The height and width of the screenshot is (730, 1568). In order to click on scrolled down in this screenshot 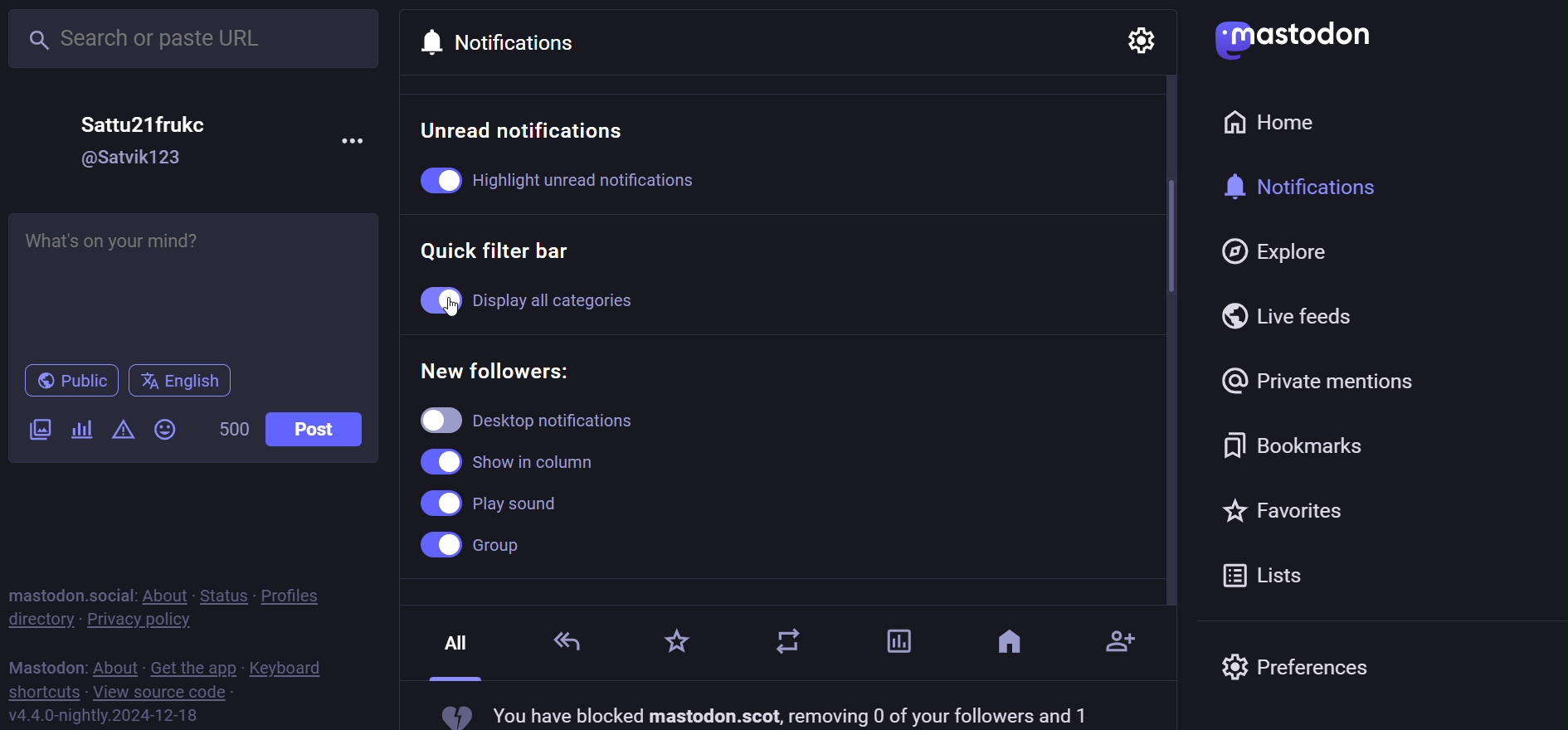, I will do `click(1162, 235)`.